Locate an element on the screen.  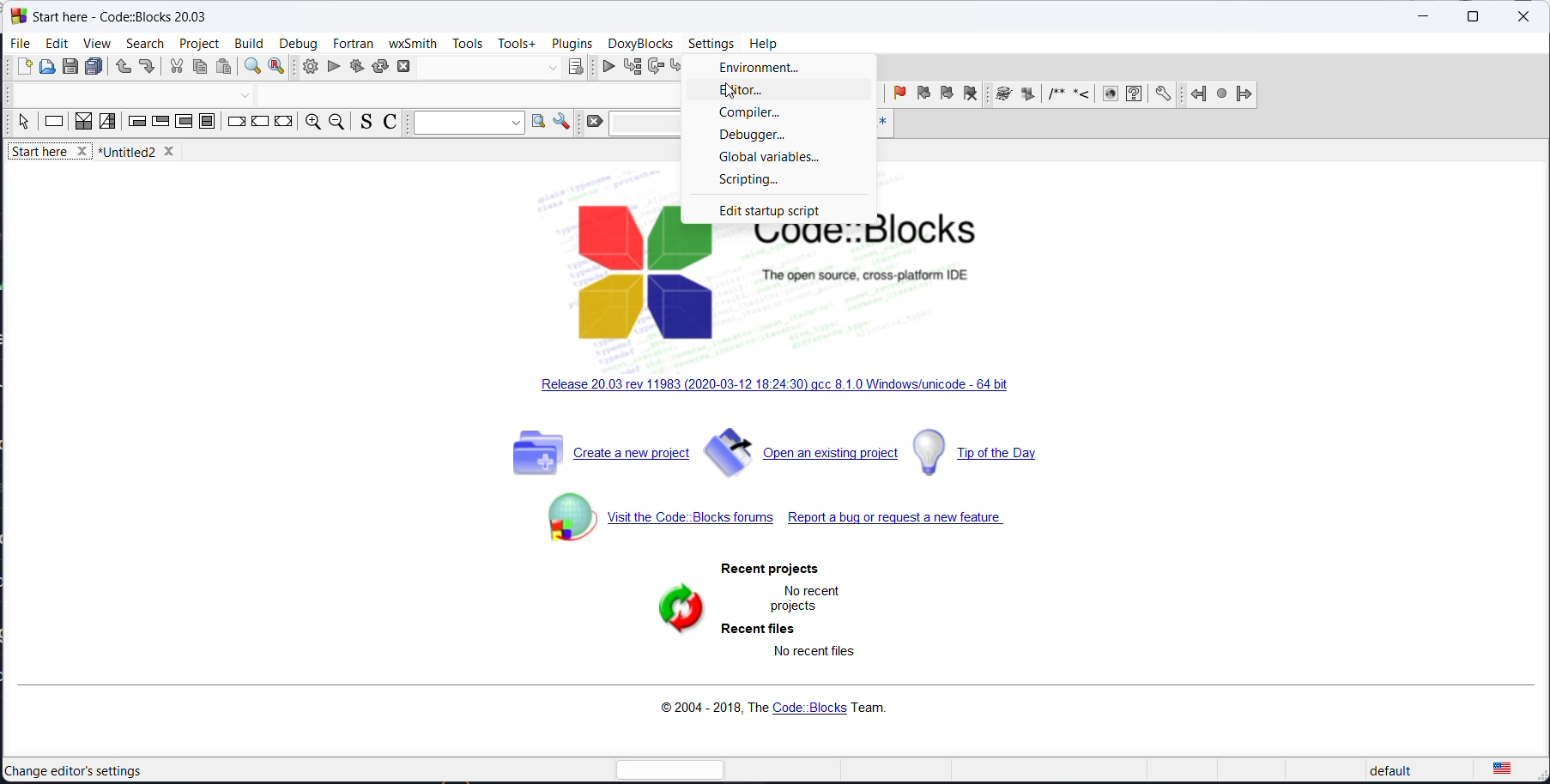
file is located at coordinates (21, 43).